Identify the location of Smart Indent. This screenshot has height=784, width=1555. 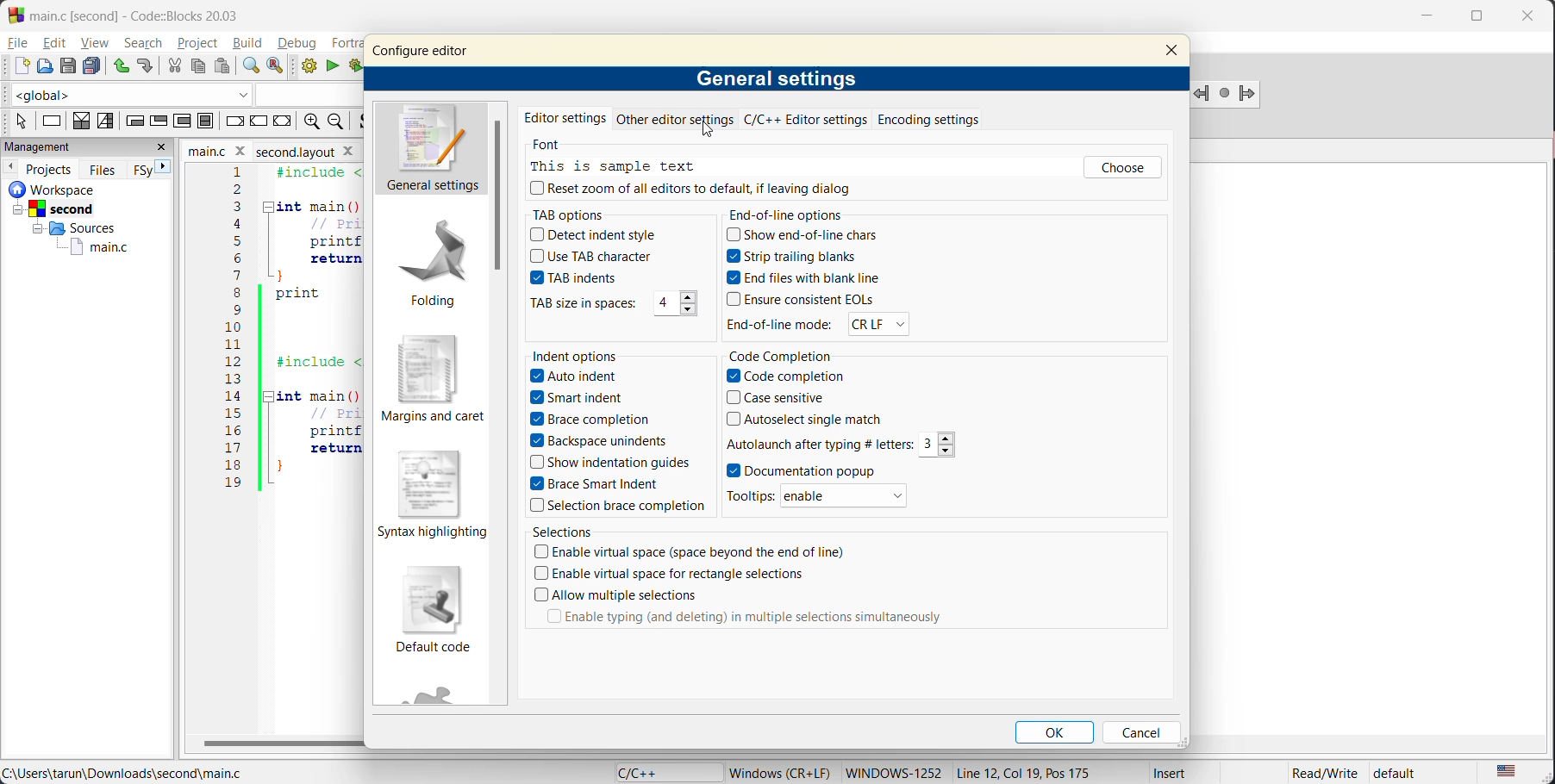
(577, 397).